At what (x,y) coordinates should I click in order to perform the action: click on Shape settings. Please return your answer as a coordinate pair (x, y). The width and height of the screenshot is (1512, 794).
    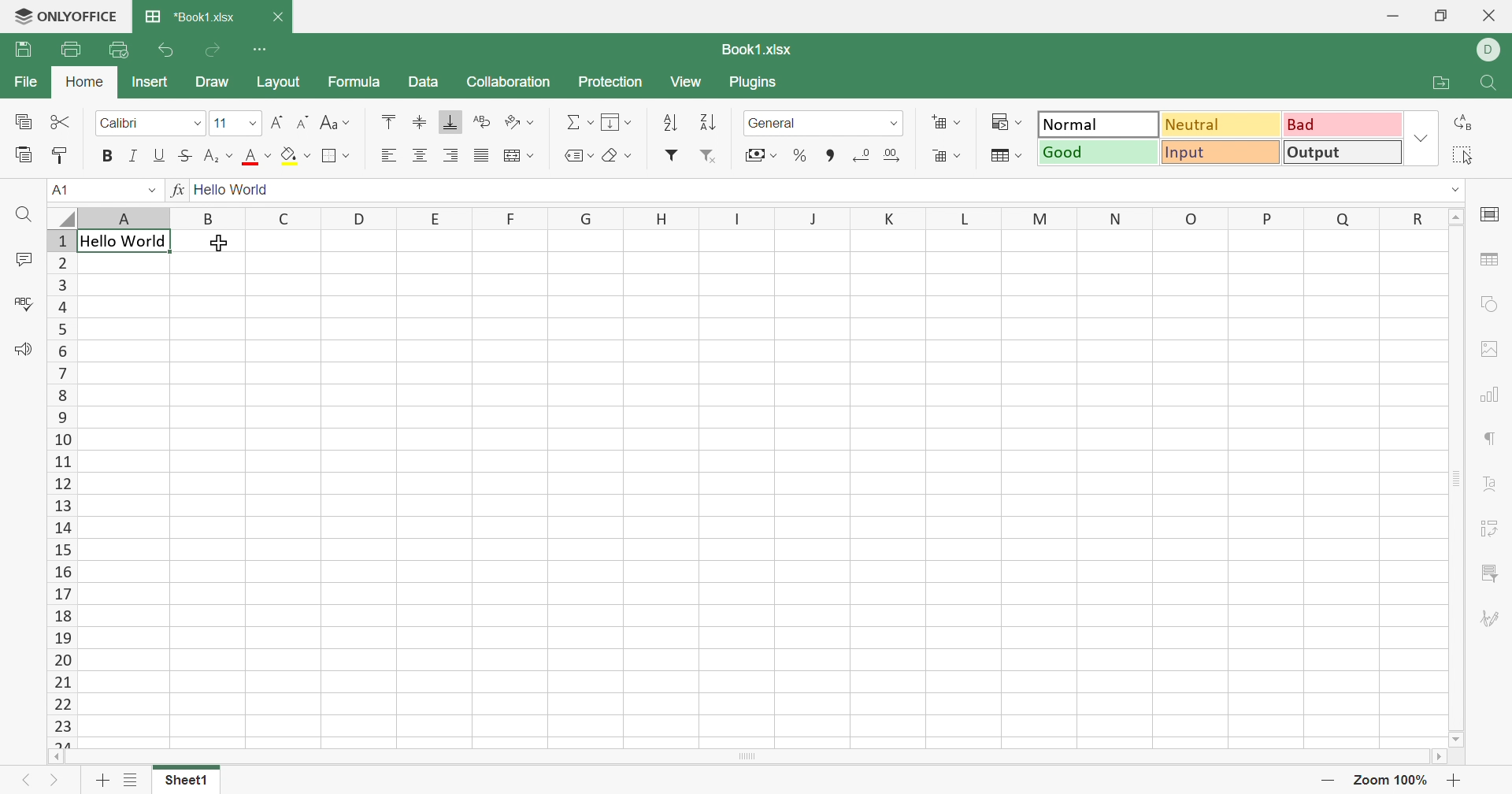
    Looking at the image, I should click on (1486, 307).